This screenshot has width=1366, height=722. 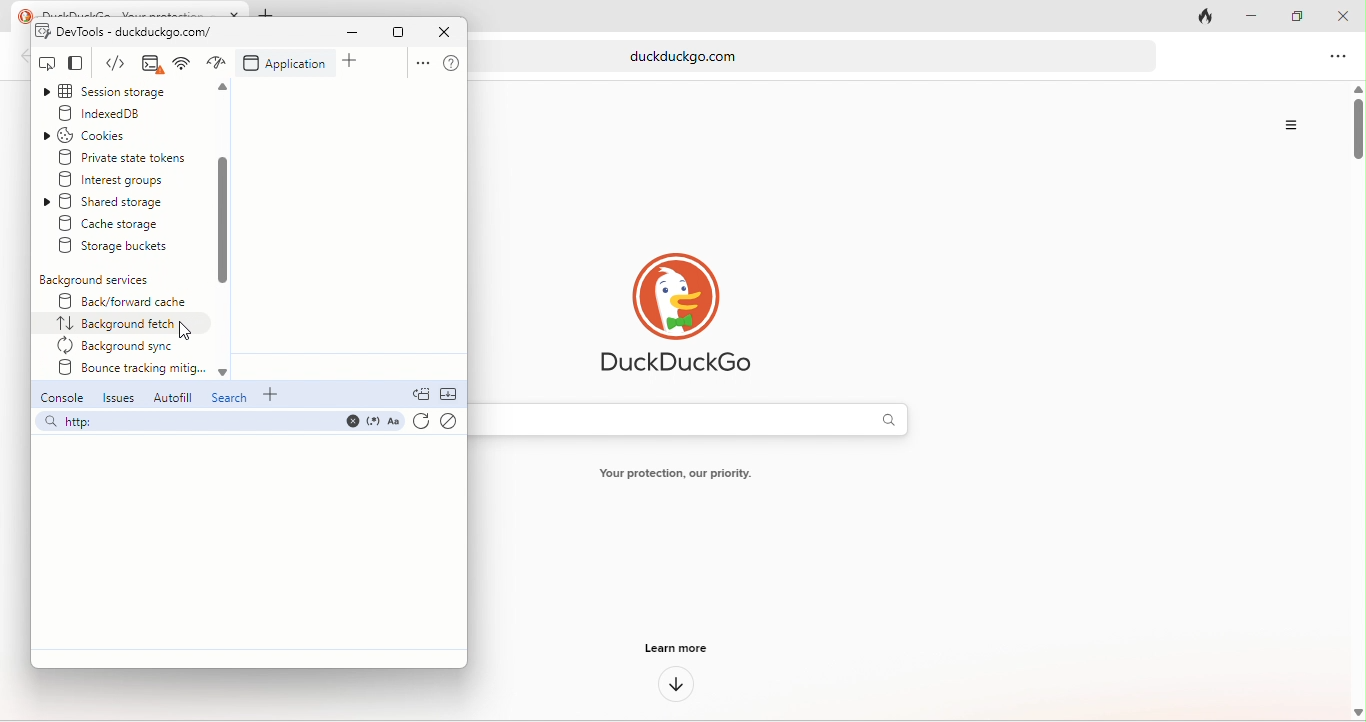 I want to click on shared storage, so click(x=124, y=202).